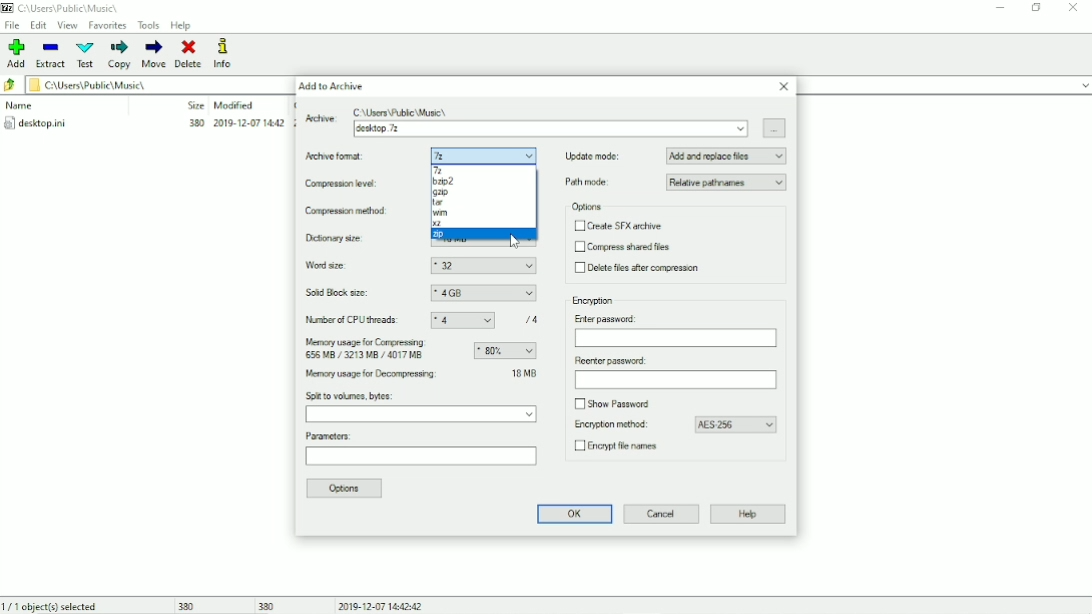 This screenshot has height=614, width=1092. Describe the element at coordinates (267, 605) in the screenshot. I see `380` at that location.